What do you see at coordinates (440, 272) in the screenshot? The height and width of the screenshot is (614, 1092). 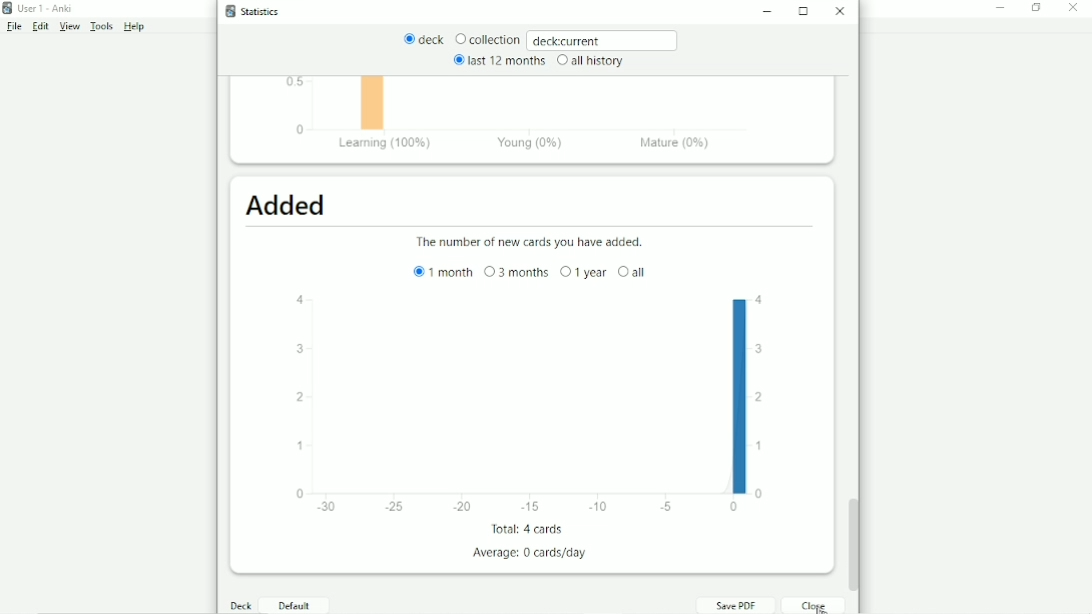 I see `1 month` at bounding box center [440, 272].